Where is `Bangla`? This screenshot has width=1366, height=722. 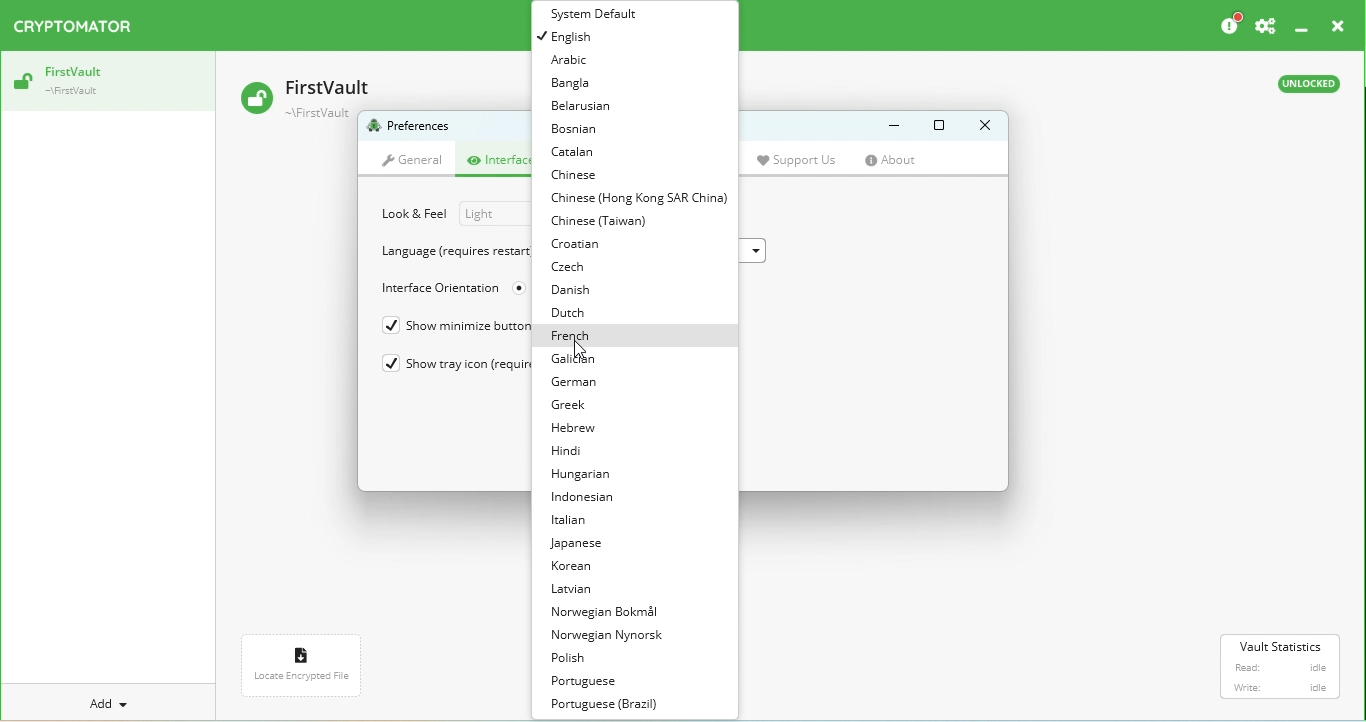 Bangla is located at coordinates (579, 85).